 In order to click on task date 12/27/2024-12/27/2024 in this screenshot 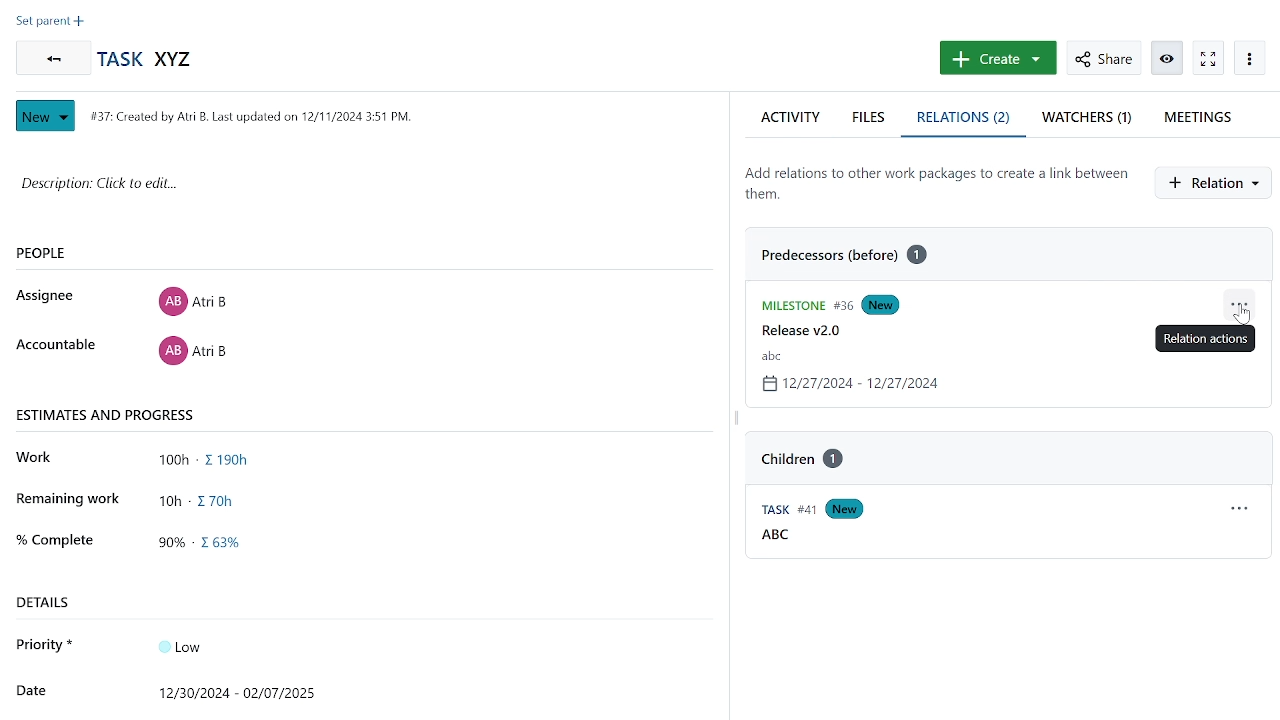, I will do `click(854, 386)`.